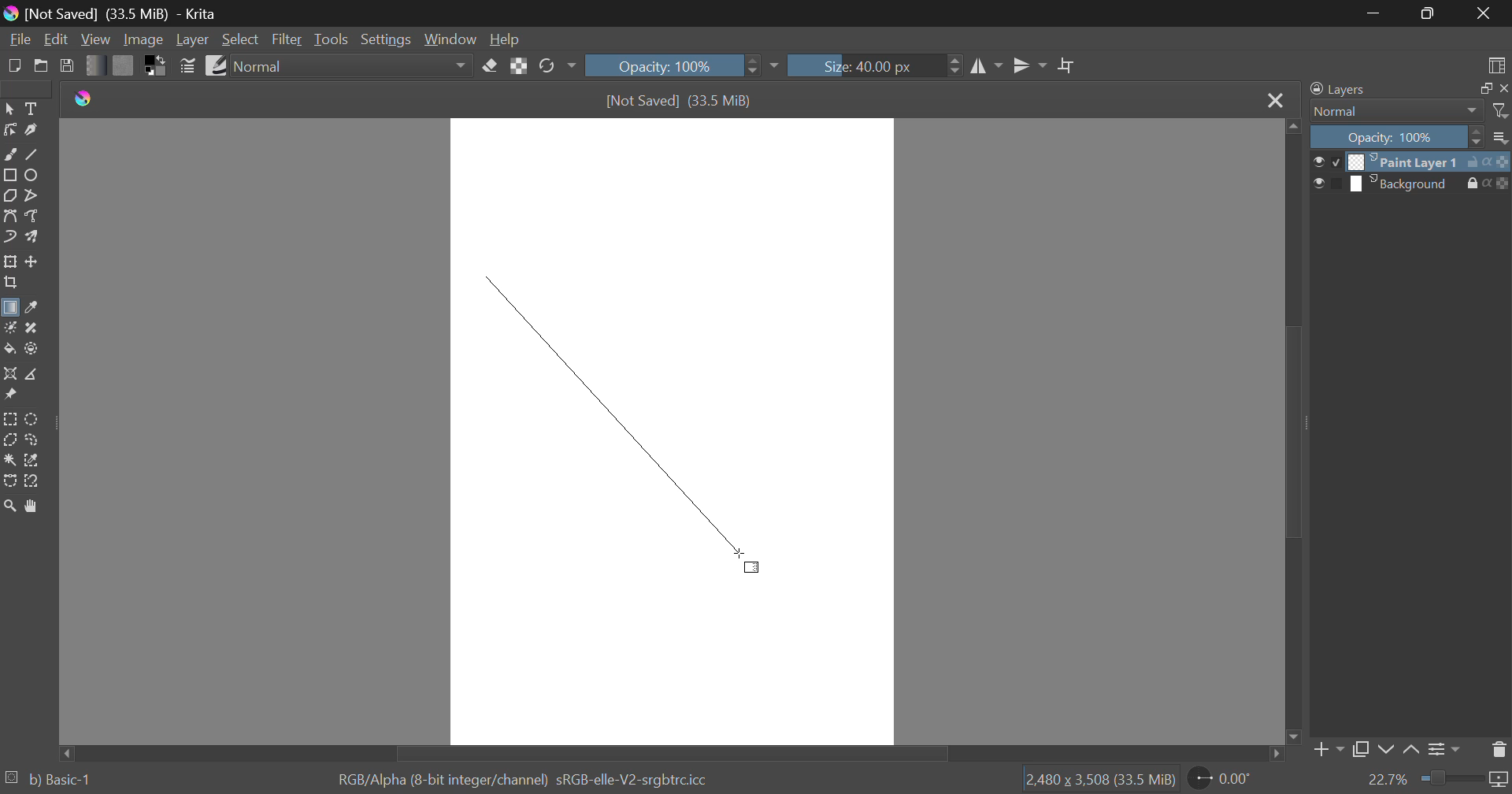  What do you see at coordinates (674, 752) in the screenshot?
I see `Scroll Bar` at bounding box center [674, 752].